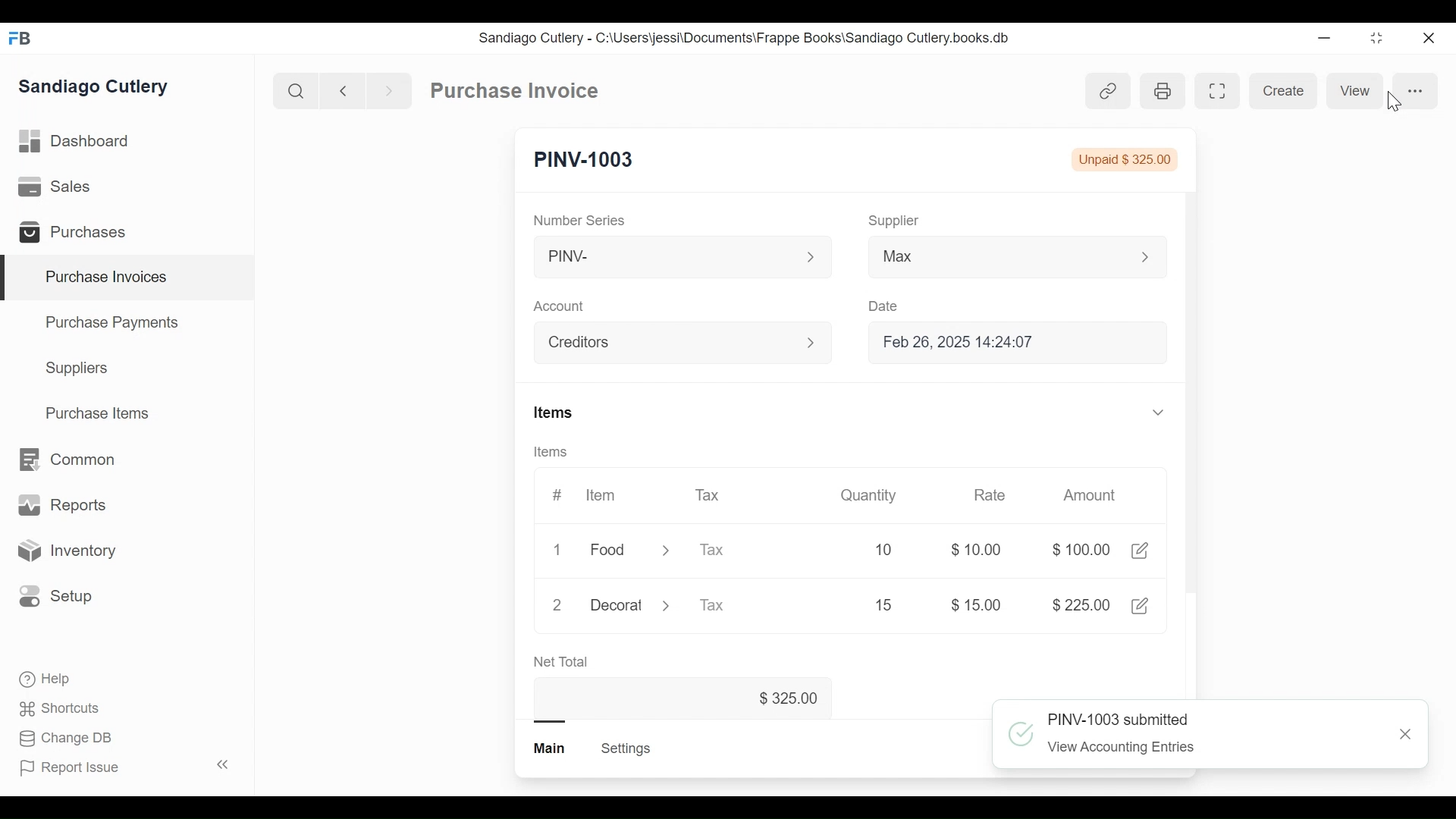 Image resolution: width=1456 pixels, height=819 pixels. What do you see at coordinates (557, 551) in the screenshot?
I see `1` at bounding box center [557, 551].